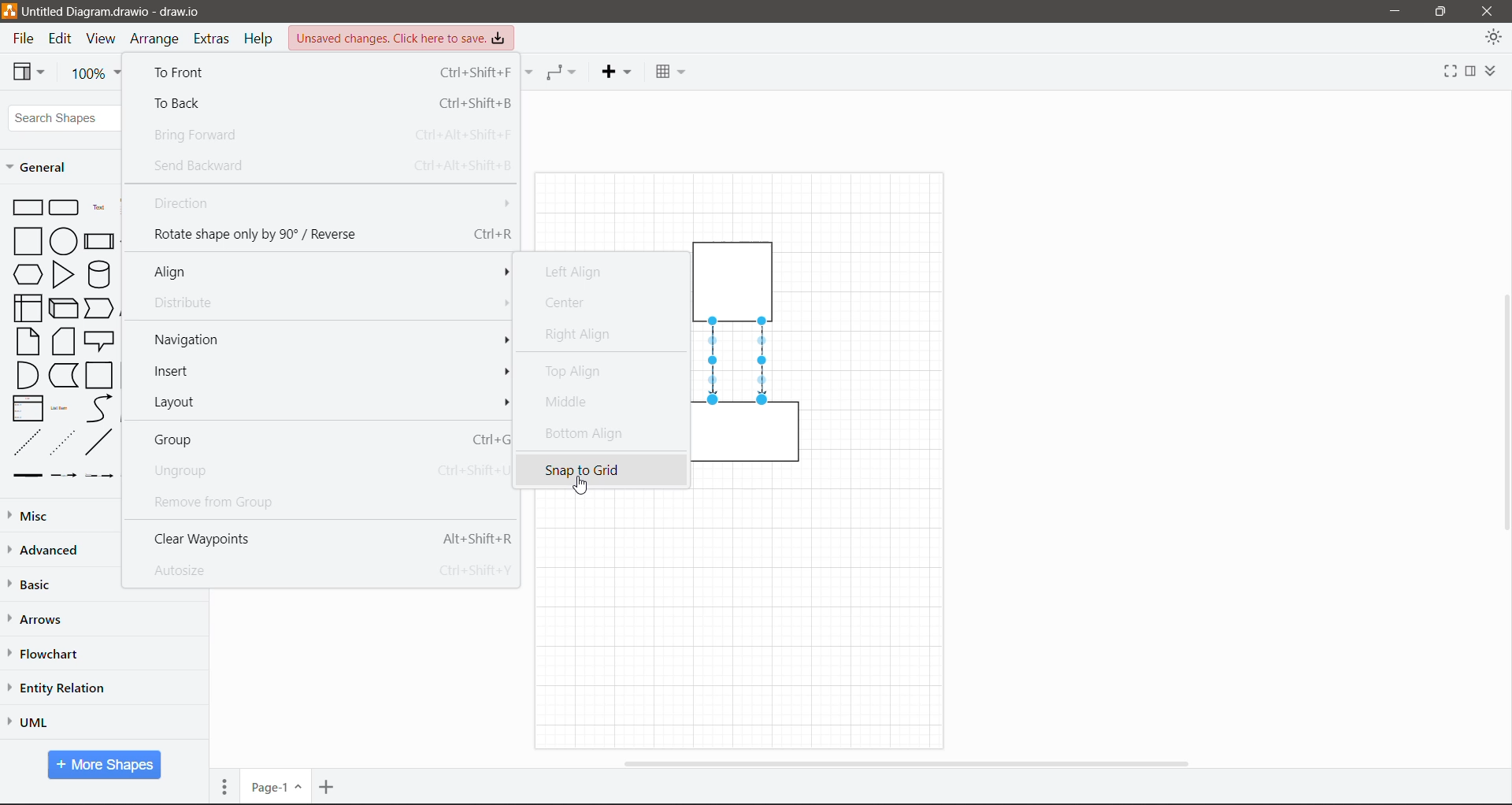 Image resolution: width=1512 pixels, height=805 pixels. I want to click on Internal Storage, so click(26, 307).